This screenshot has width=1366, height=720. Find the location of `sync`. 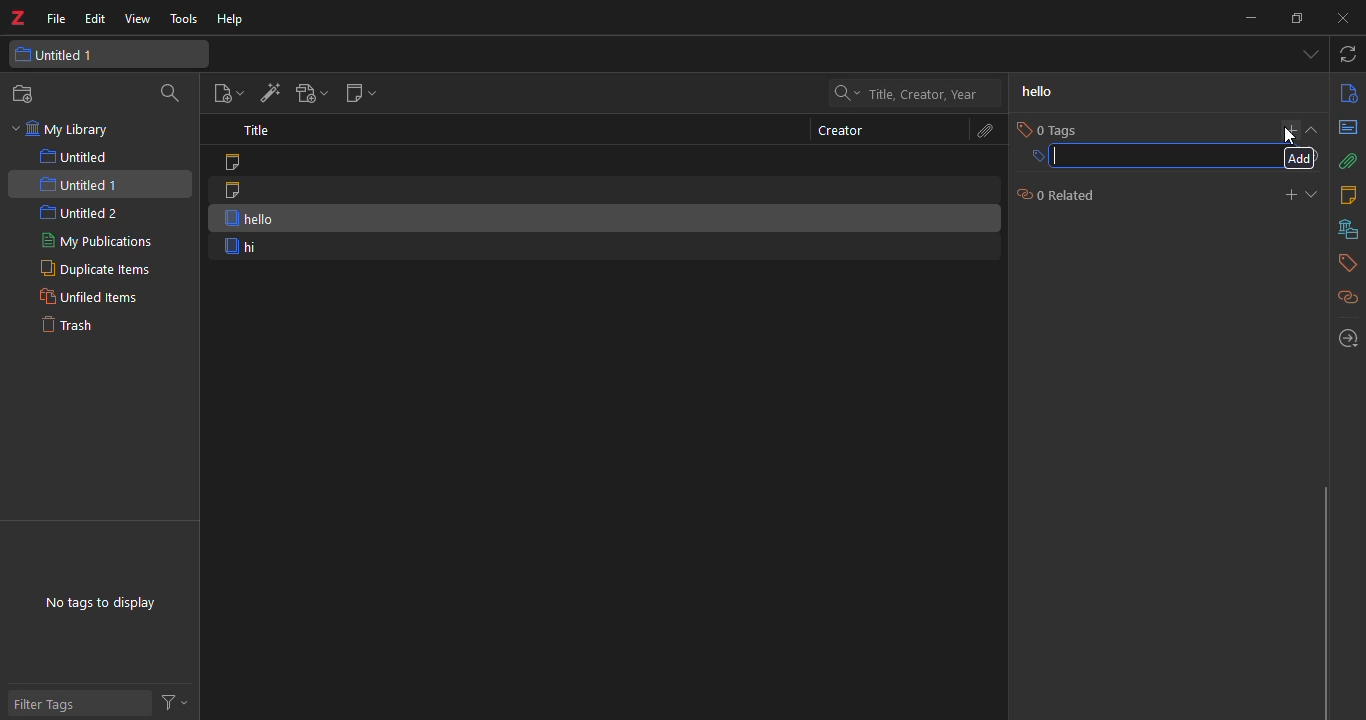

sync is located at coordinates (1349, 56).